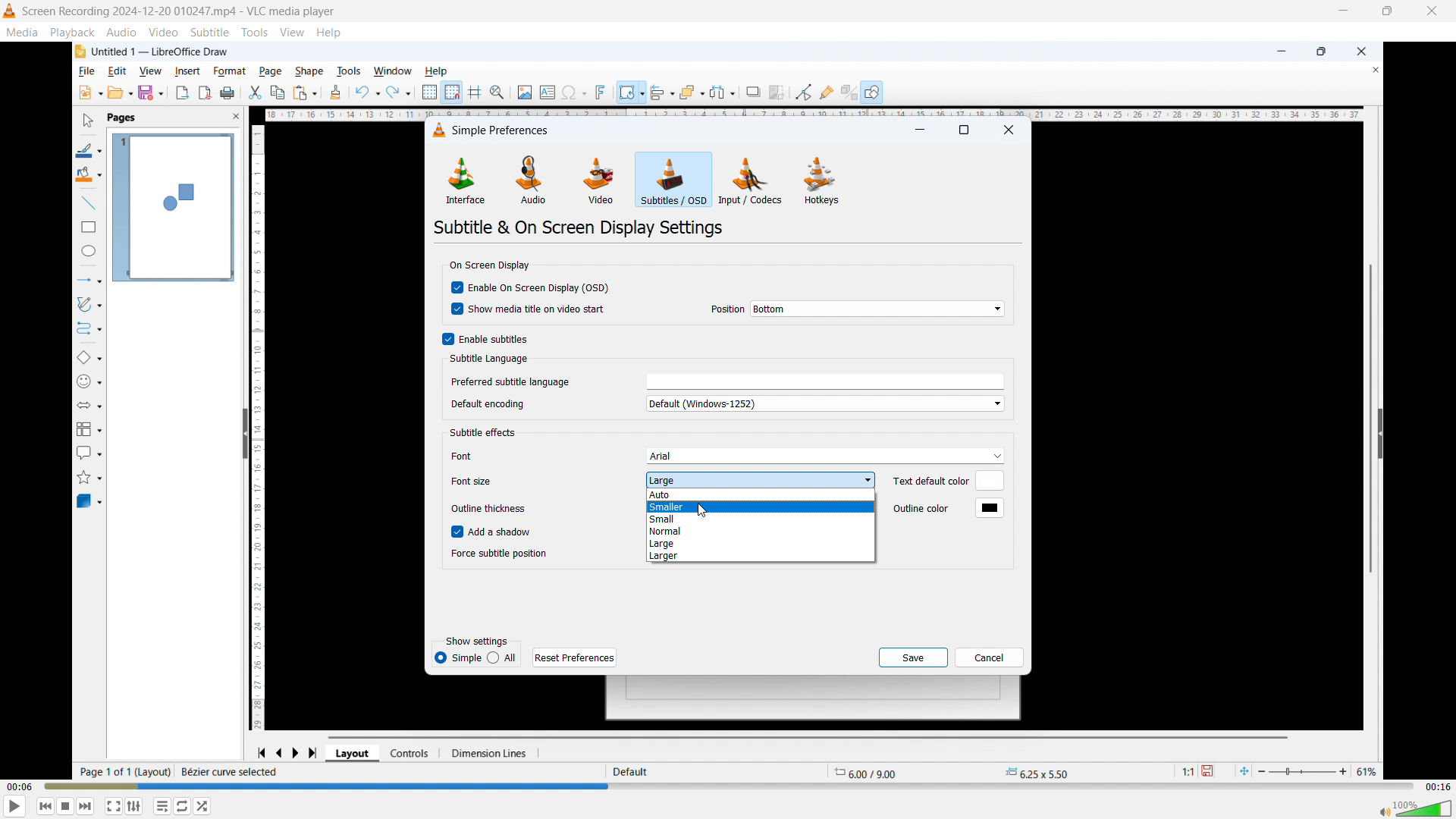  I want to click on Larger , so click(761, 556).